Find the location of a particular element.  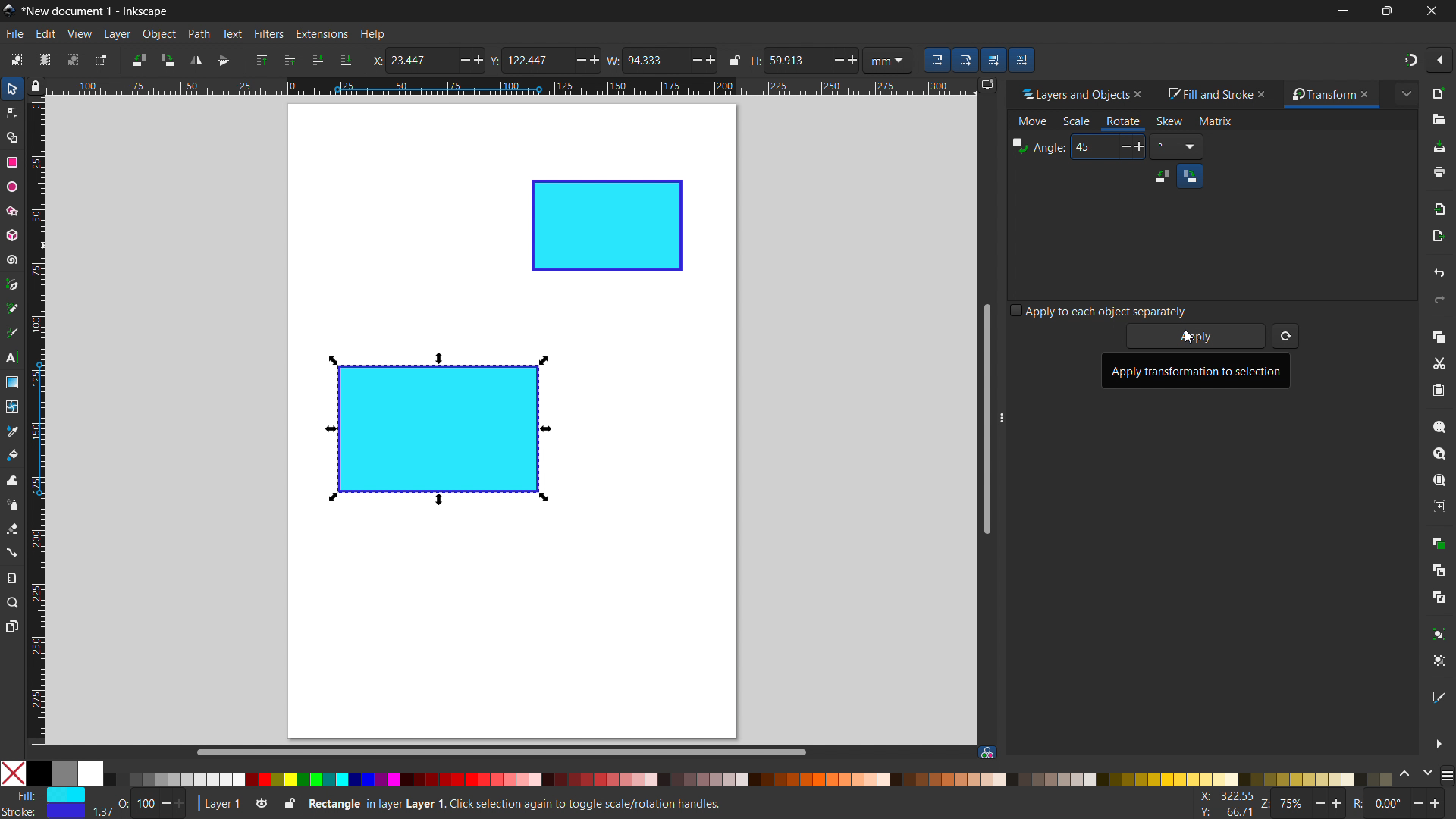

resize is located at coordinates (1005, 413).